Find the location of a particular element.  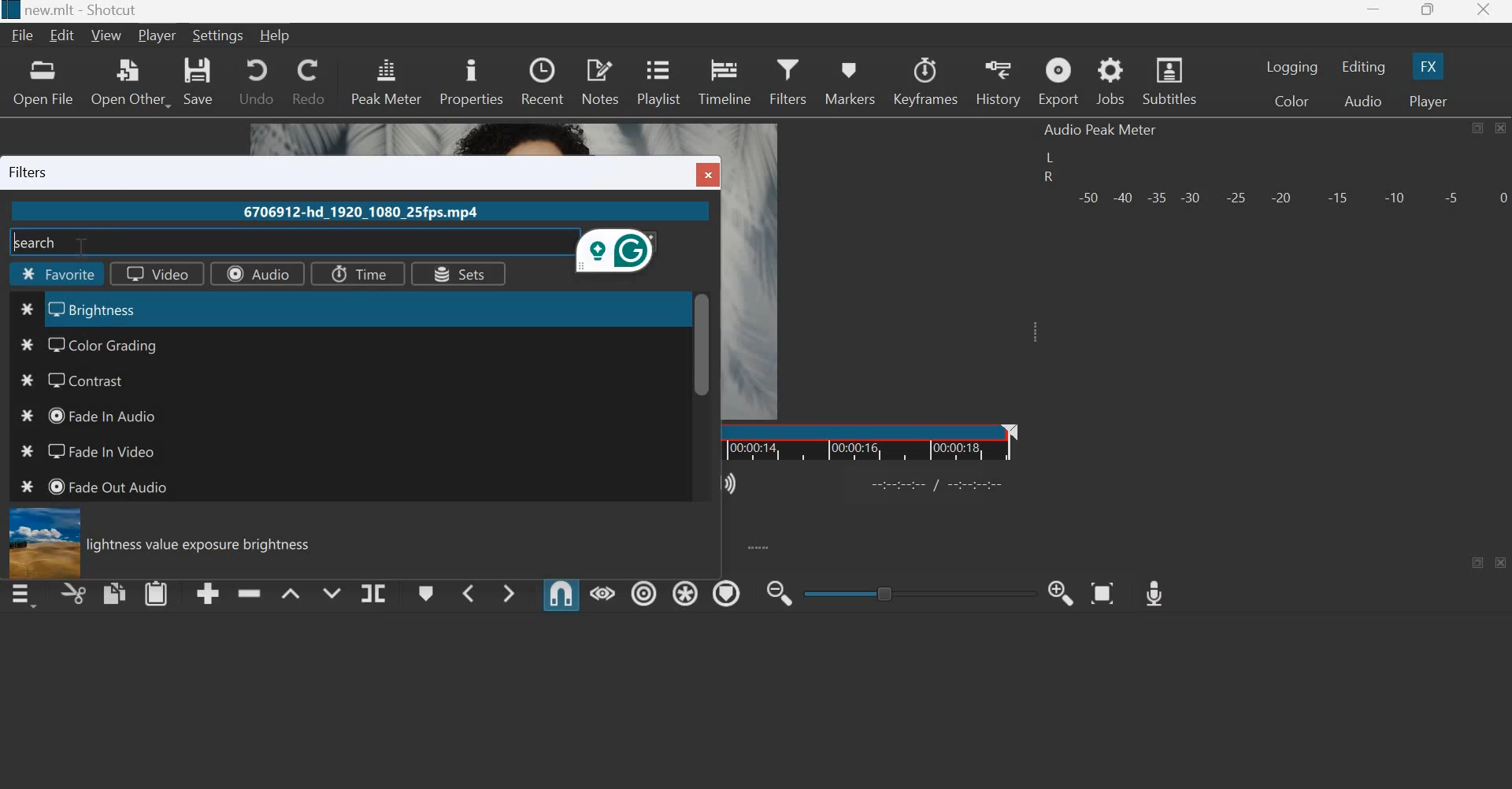

Fade out Audio is located at coordinates (113, 487).